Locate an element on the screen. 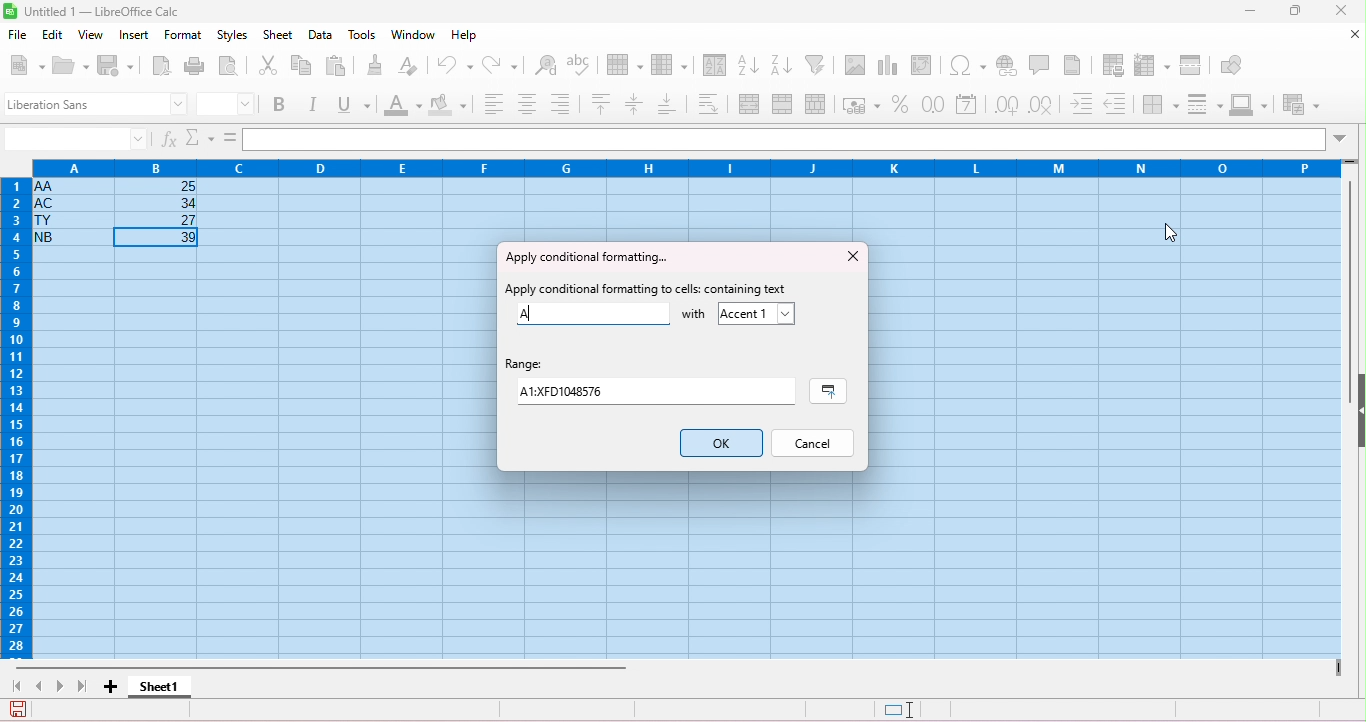 The height and width of the screenshot is (722, 1366). align center is located at coordinates (528, 105).